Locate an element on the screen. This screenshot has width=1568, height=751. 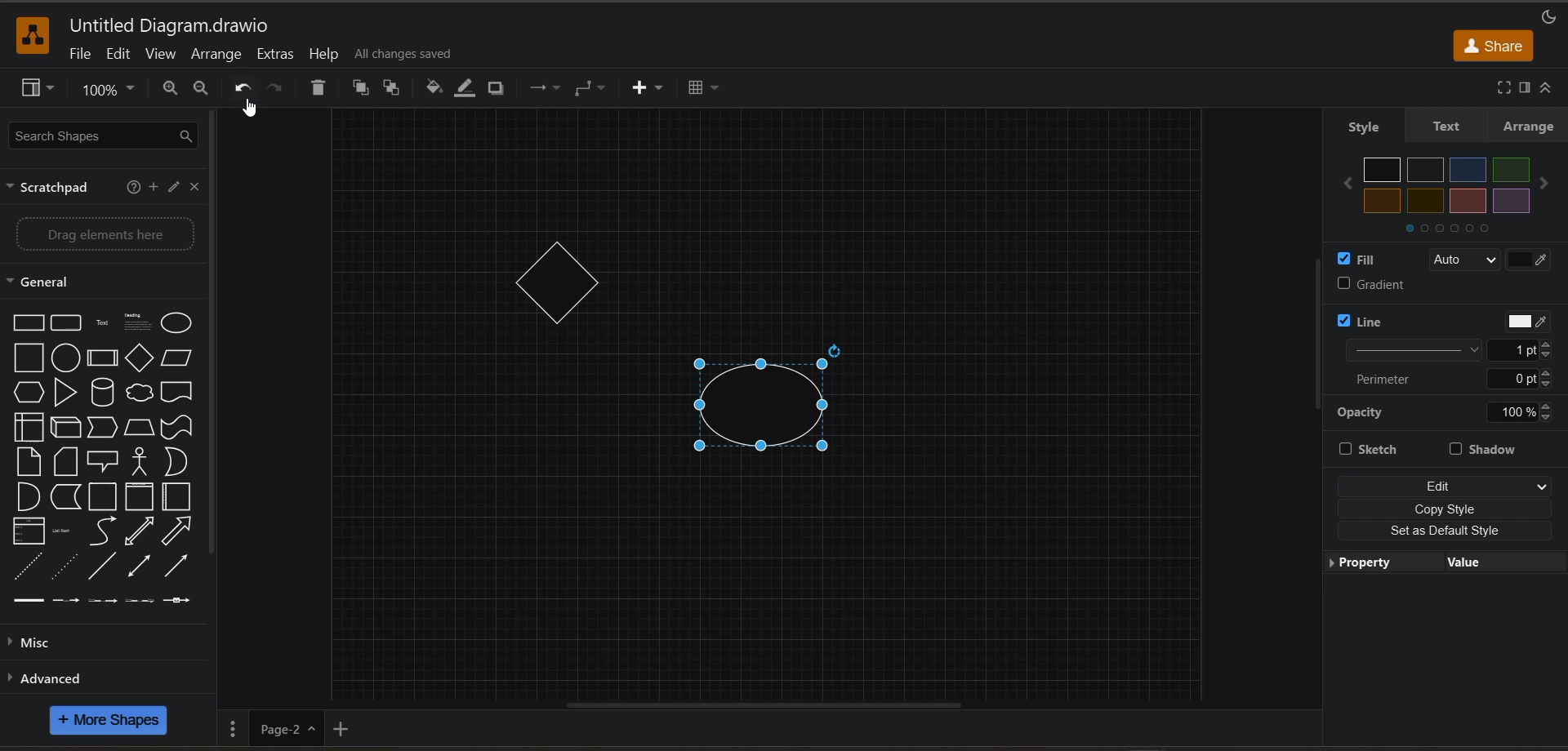
Square is located at coordinates (29, 358).